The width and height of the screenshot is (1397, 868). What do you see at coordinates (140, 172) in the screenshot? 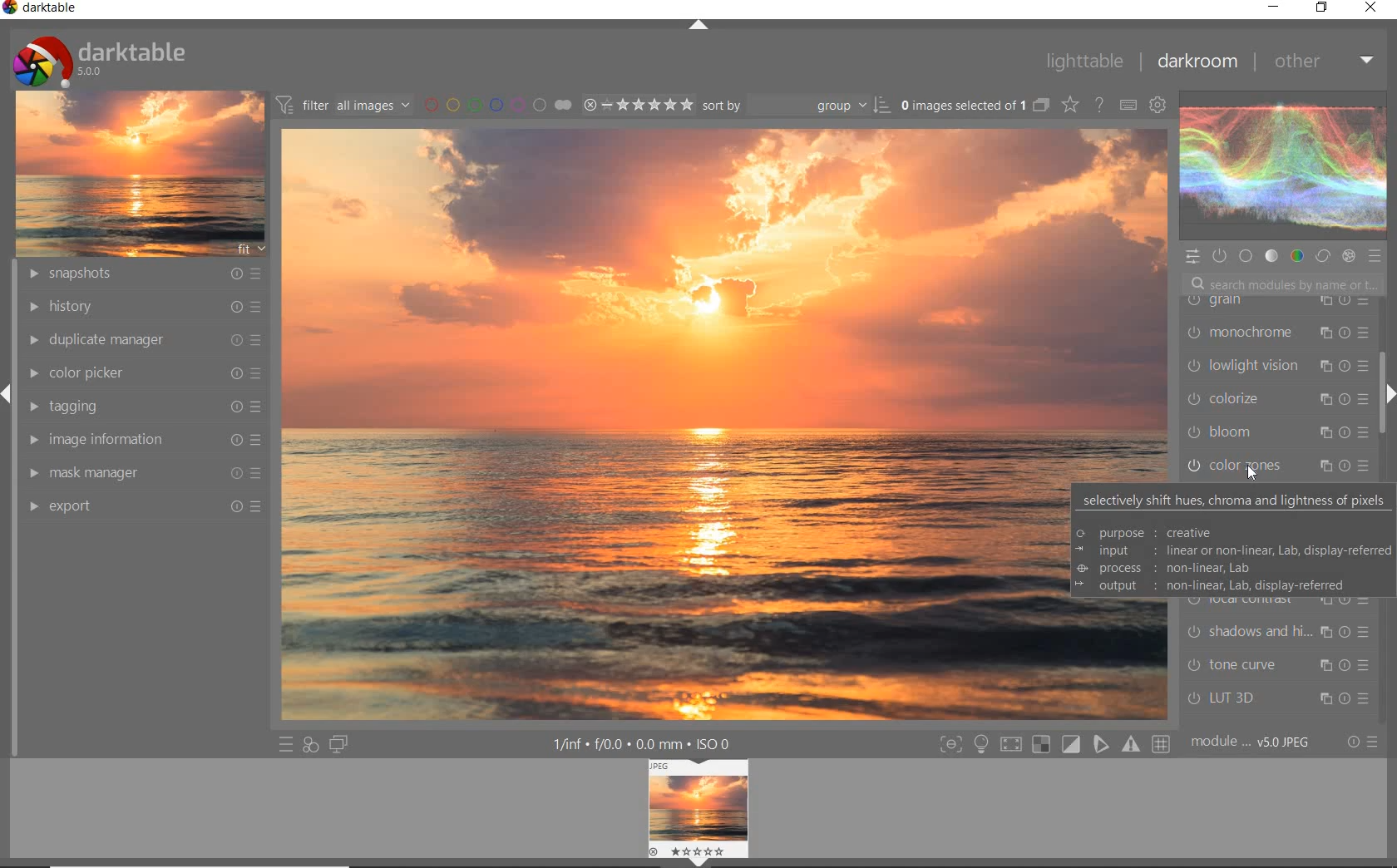
I see `IMAGE` at bounding box center [140, 172].